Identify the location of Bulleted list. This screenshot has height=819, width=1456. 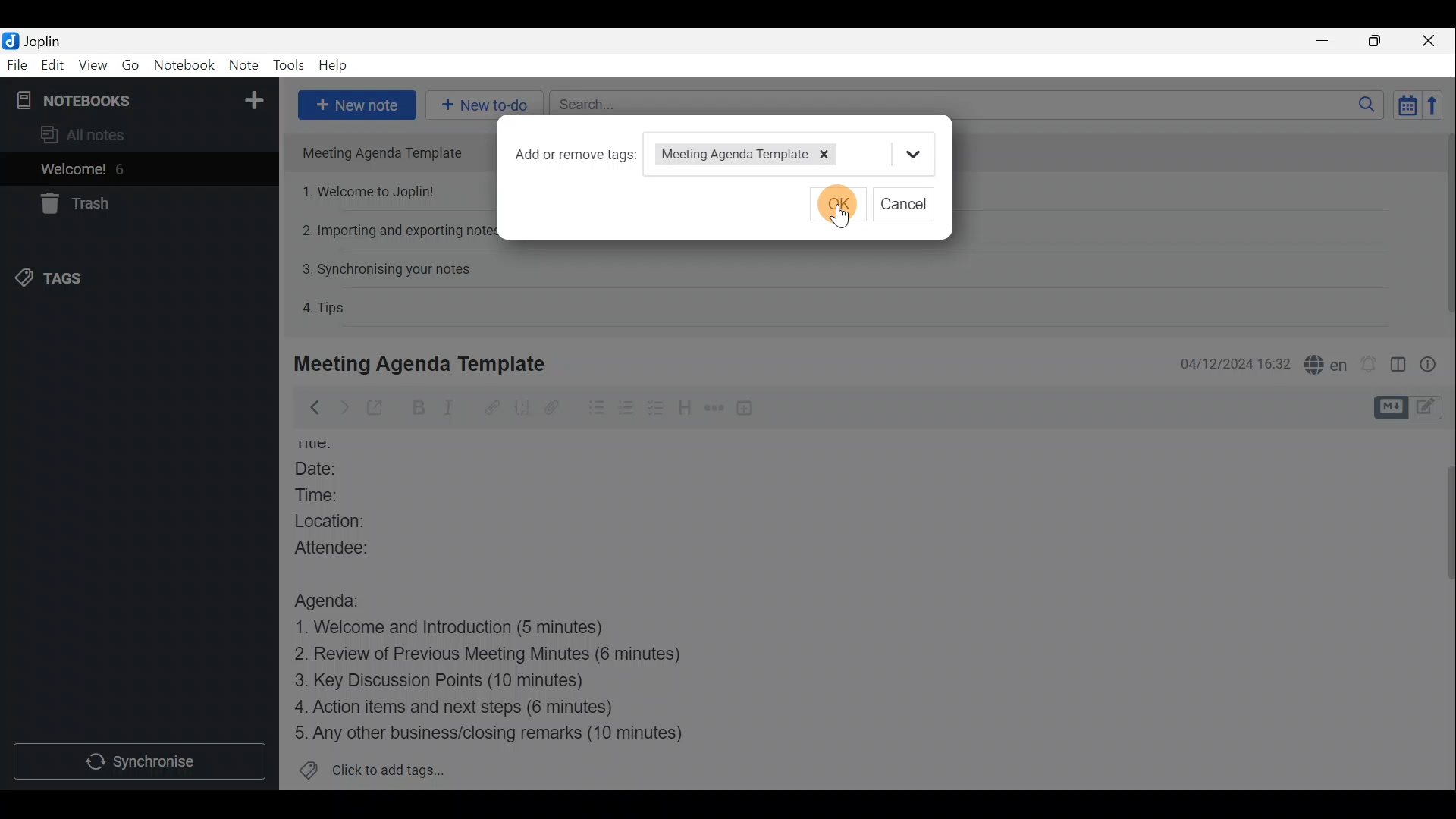
(595, 408).